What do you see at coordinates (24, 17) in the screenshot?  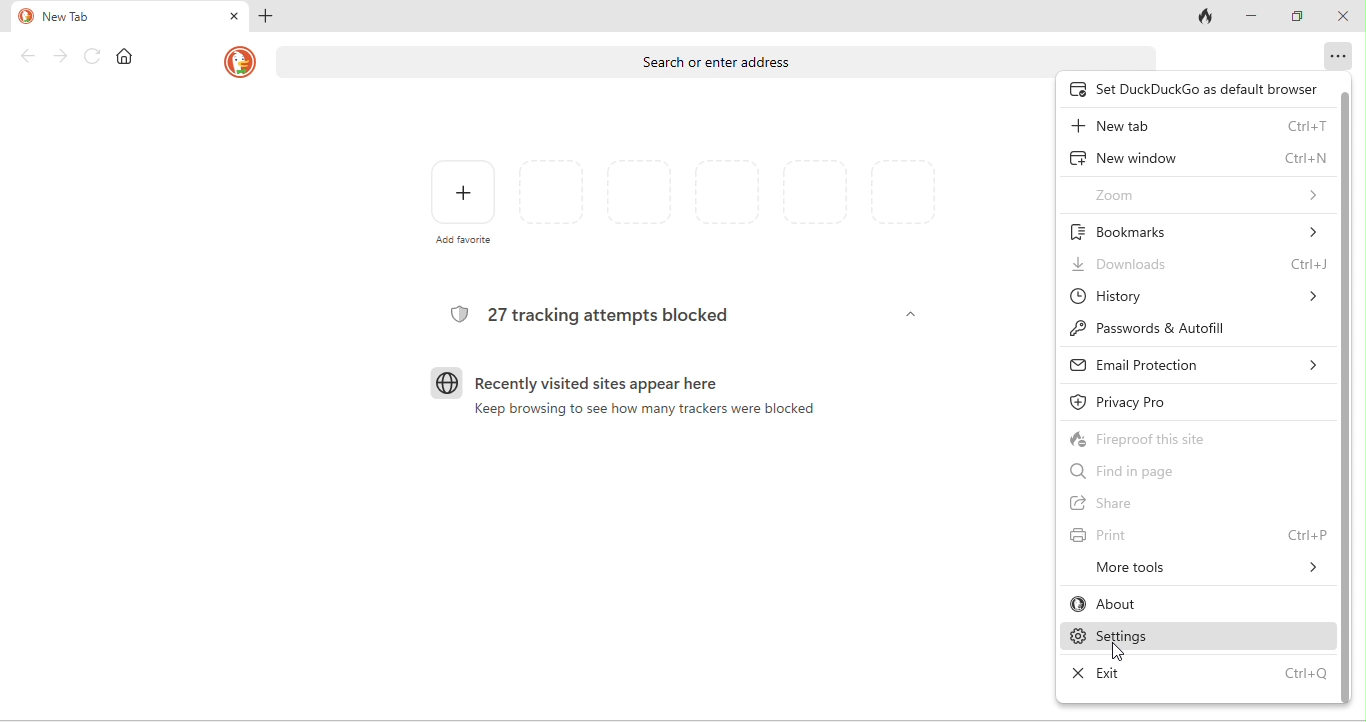 I see `duck duck go` at bounding box center [24, 17].